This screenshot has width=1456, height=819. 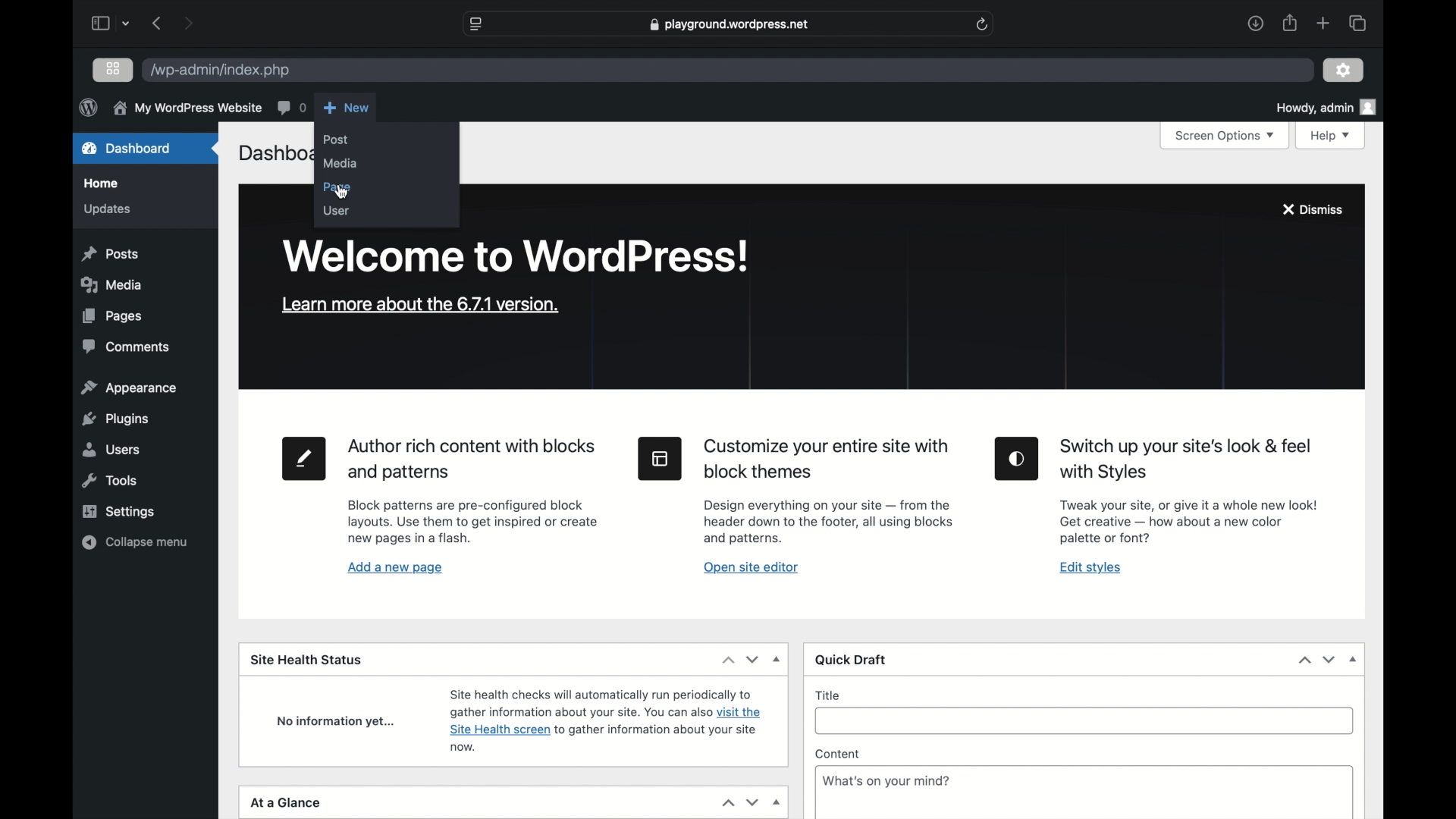 I want to click on web address, so click(x=731, y=24).